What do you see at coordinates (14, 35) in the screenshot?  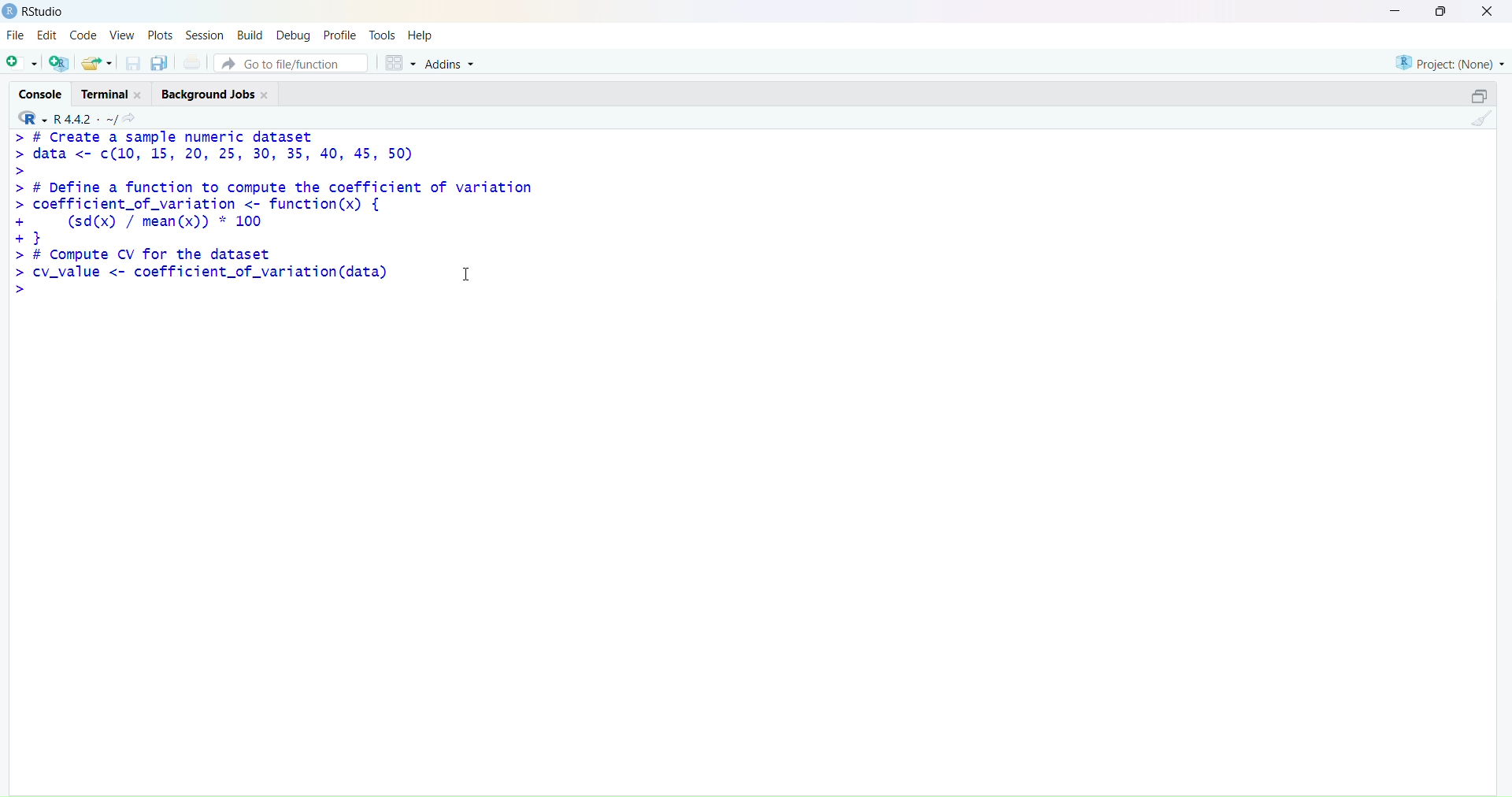 I see `file` at bounding box center [14, 35].